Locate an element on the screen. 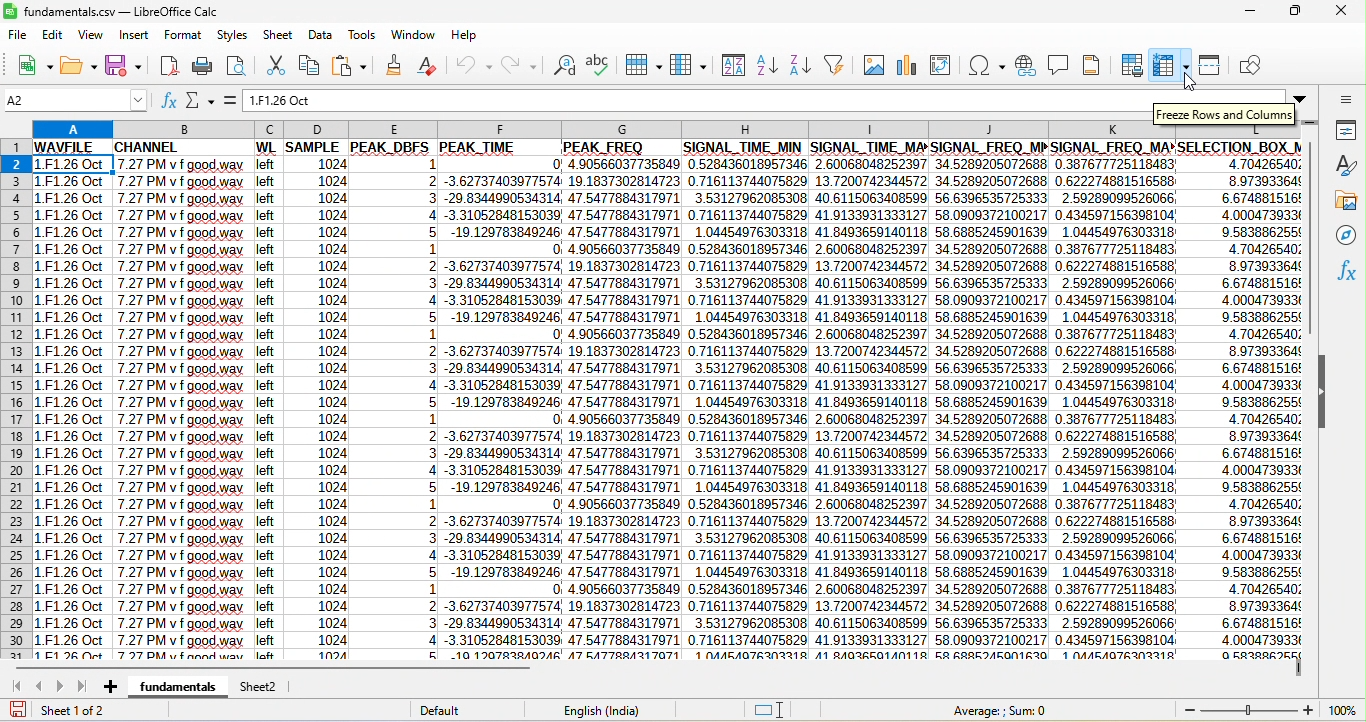 The height and width of the screenshot is (722, 1366). new is located at coordinates (27, 69).